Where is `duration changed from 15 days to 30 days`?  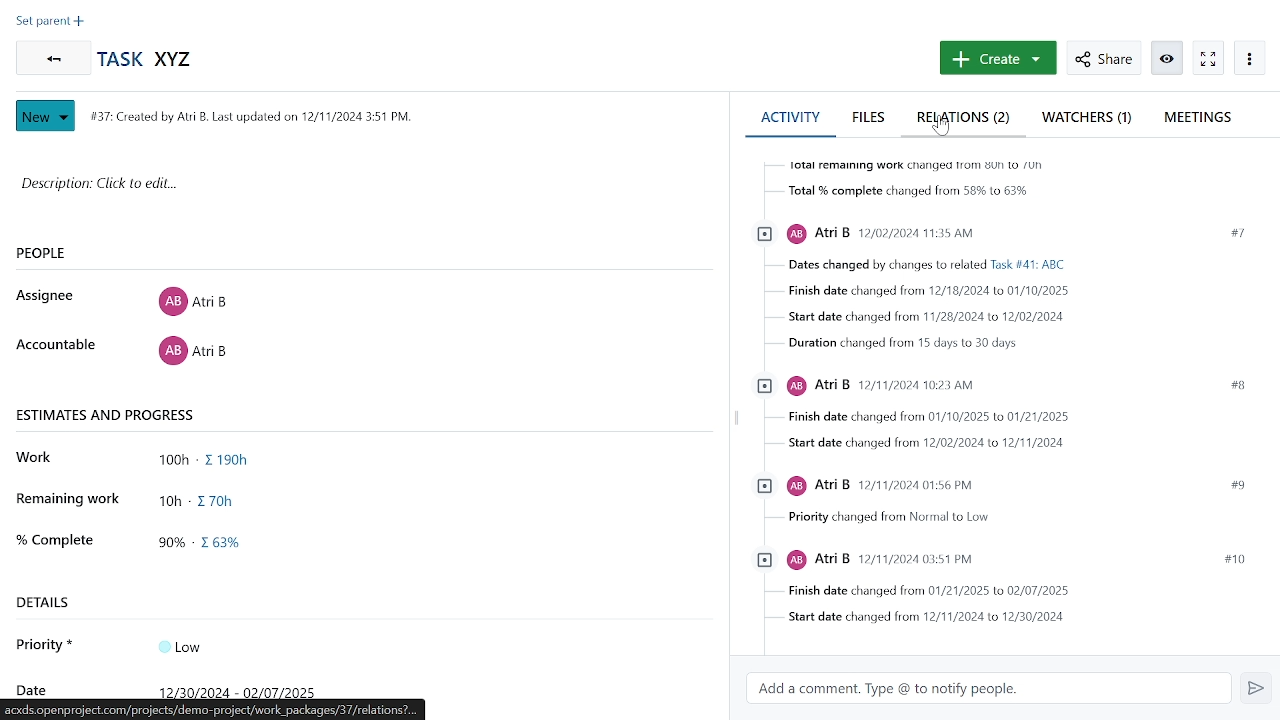
duration changed from 15 days to 30 days is located at coordinates (894, 344).